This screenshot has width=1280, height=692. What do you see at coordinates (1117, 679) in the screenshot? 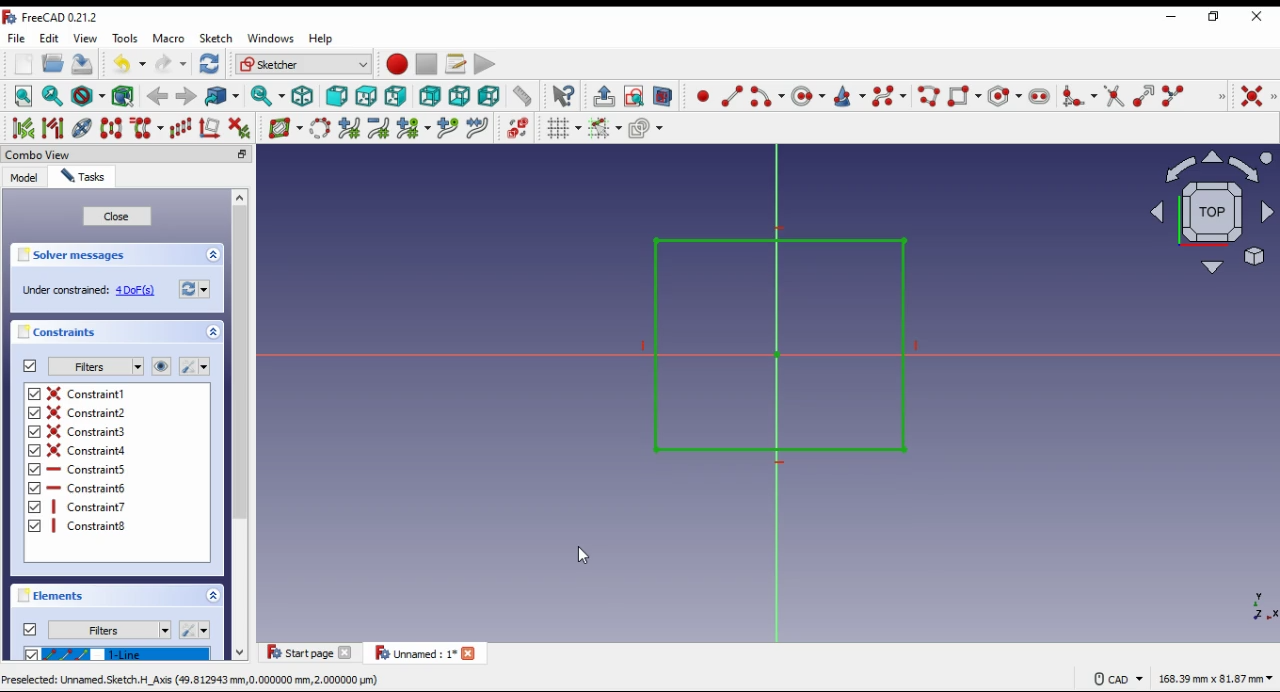
I see `CAD Navigation style` at bounding box center [1117, 679].